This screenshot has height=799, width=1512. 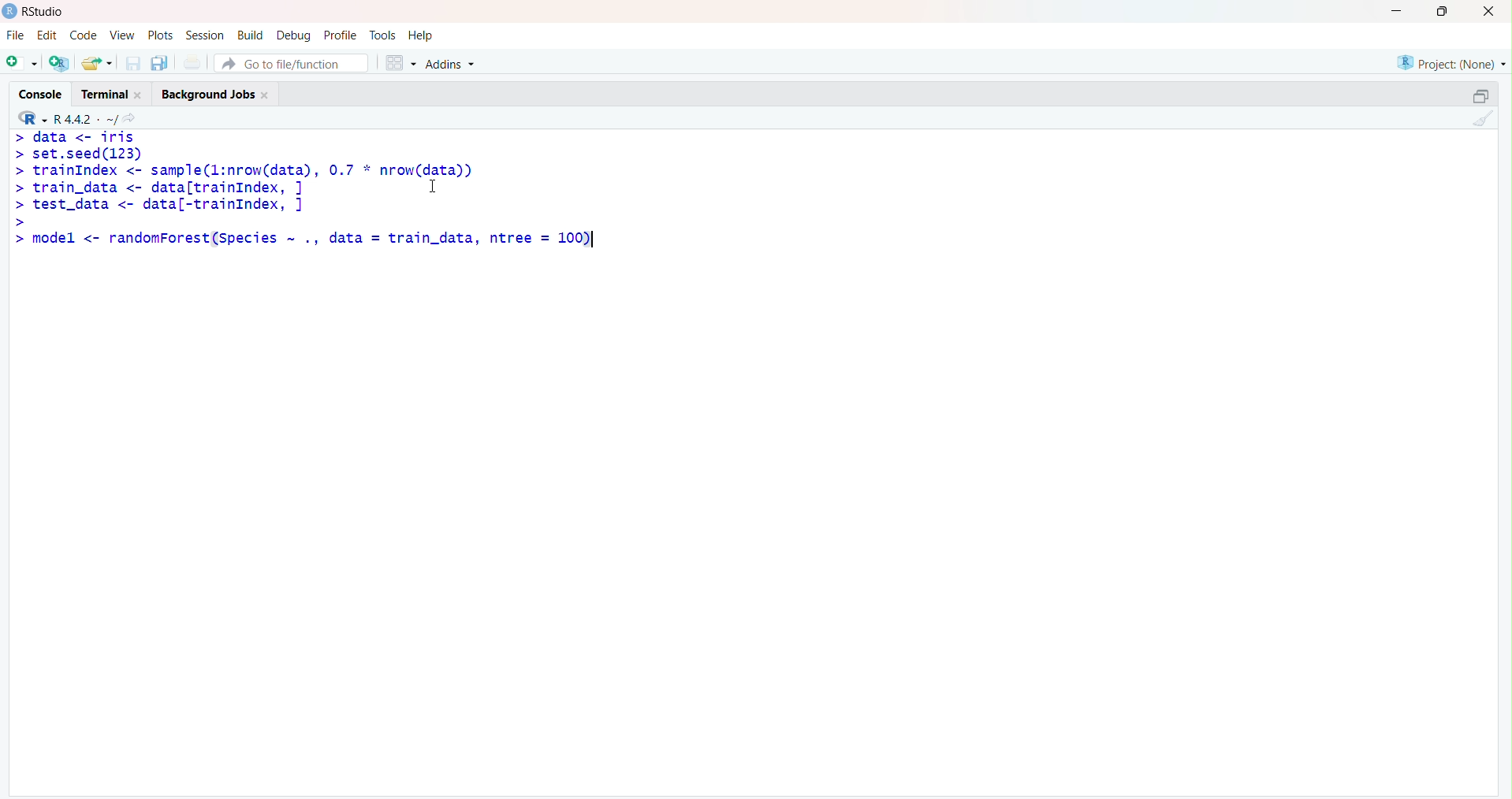 I want to click on Project (None), so click(x=1450, y=62).